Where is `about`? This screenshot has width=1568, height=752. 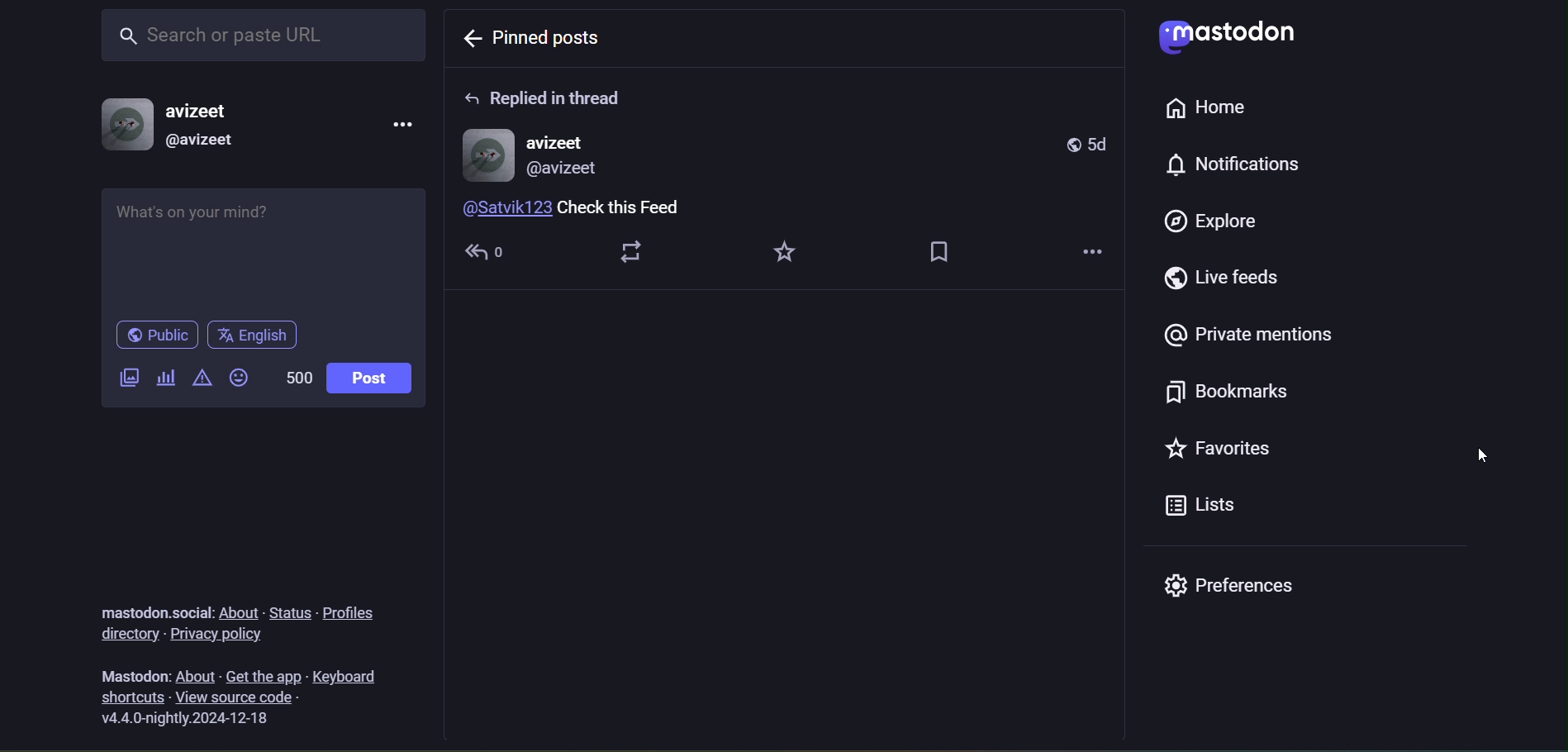
about is located at coordinates (236, 609).